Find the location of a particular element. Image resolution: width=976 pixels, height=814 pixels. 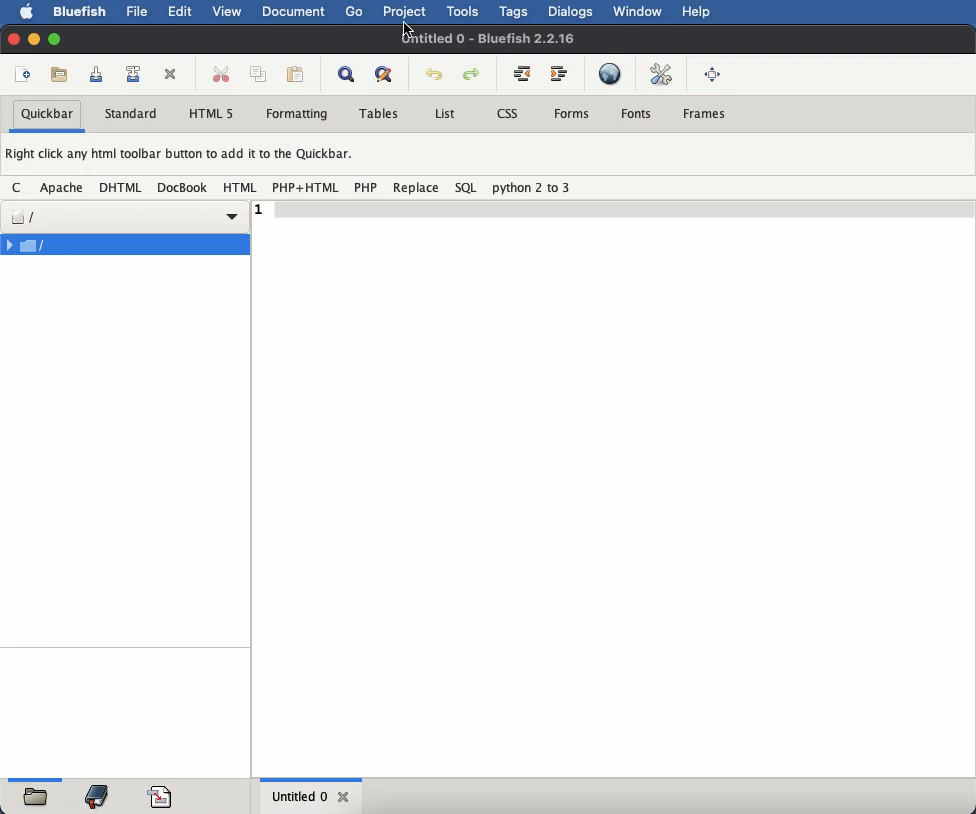

cut is located at coordinates (221, 73).